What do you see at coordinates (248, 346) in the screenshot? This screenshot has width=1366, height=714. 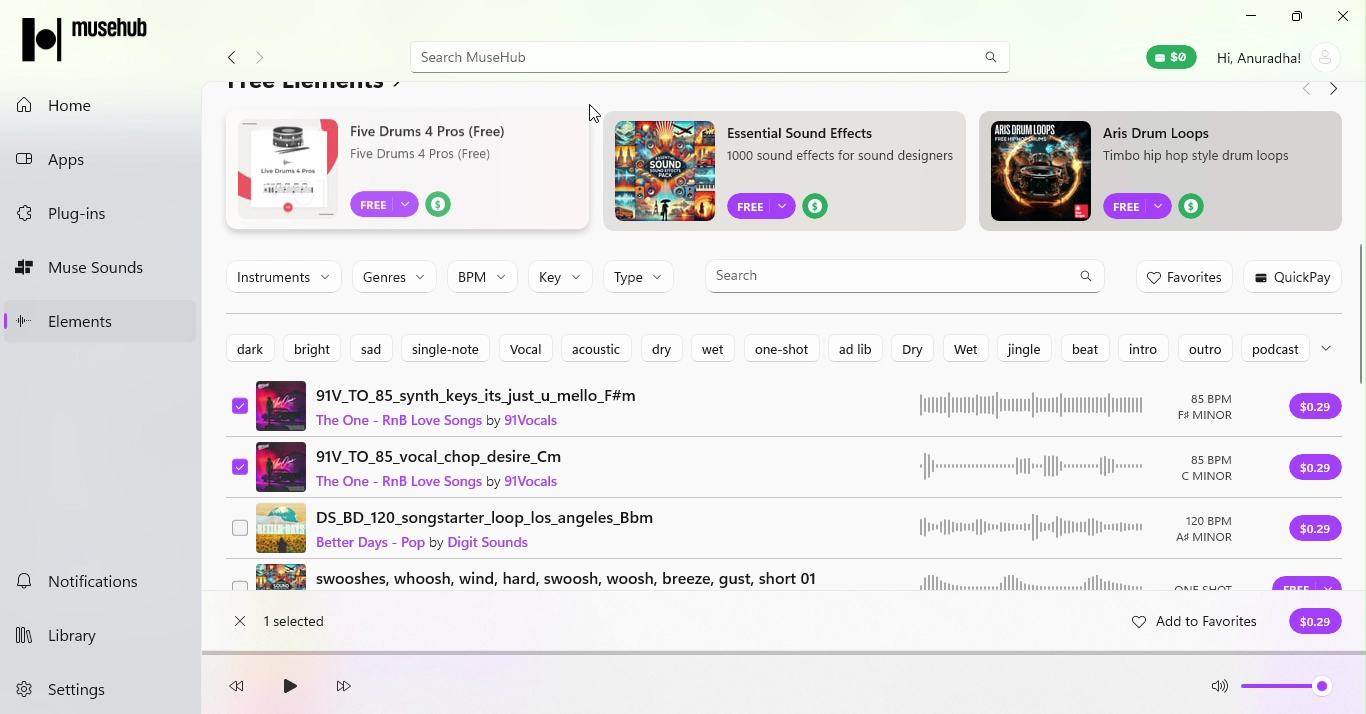 I see `Dark` at bounding box center [248, 346].